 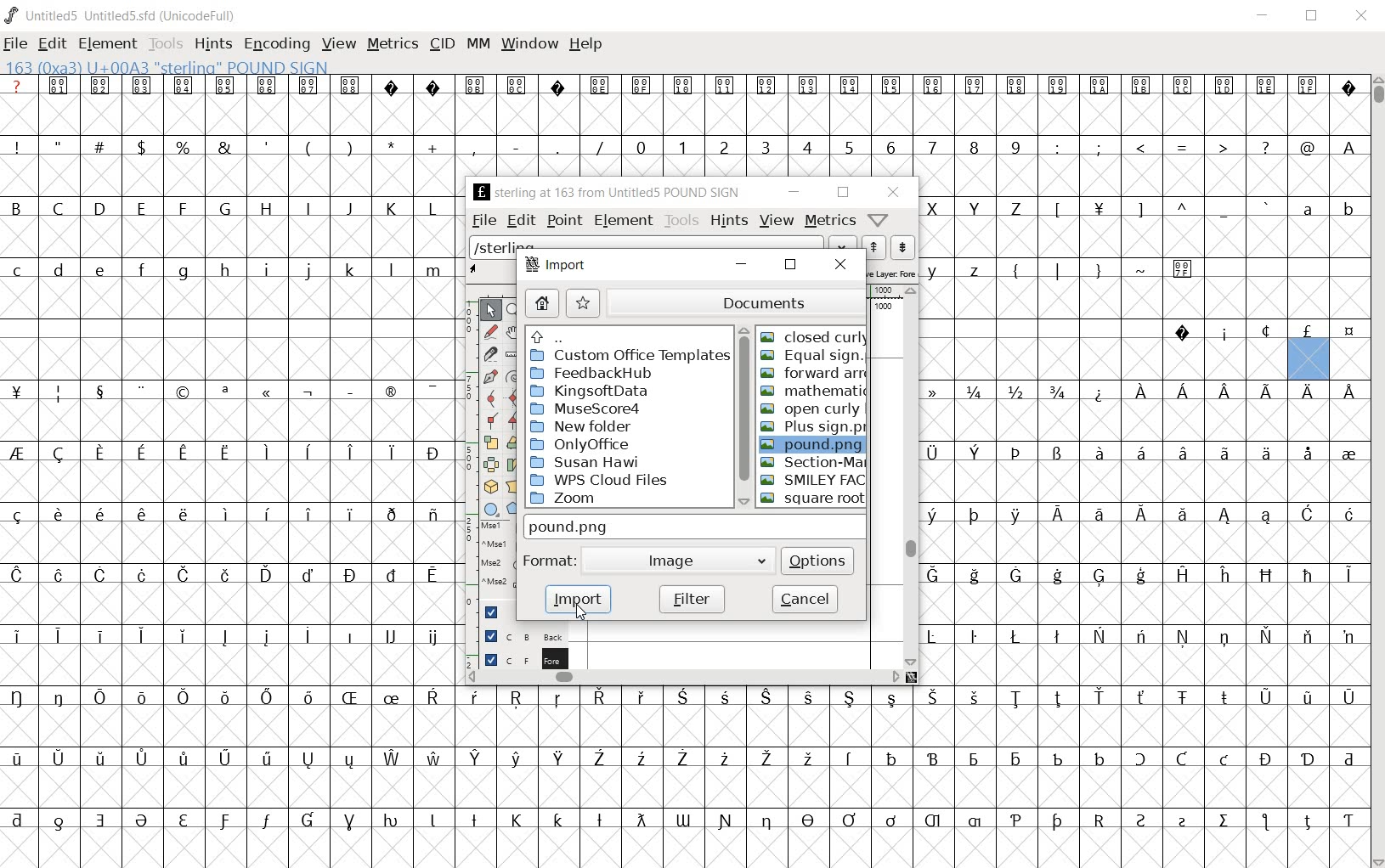 What do you see at coordinates (875, 248) in the screenshot?
I see `show the previous word list` at bounding box center [875, 248].